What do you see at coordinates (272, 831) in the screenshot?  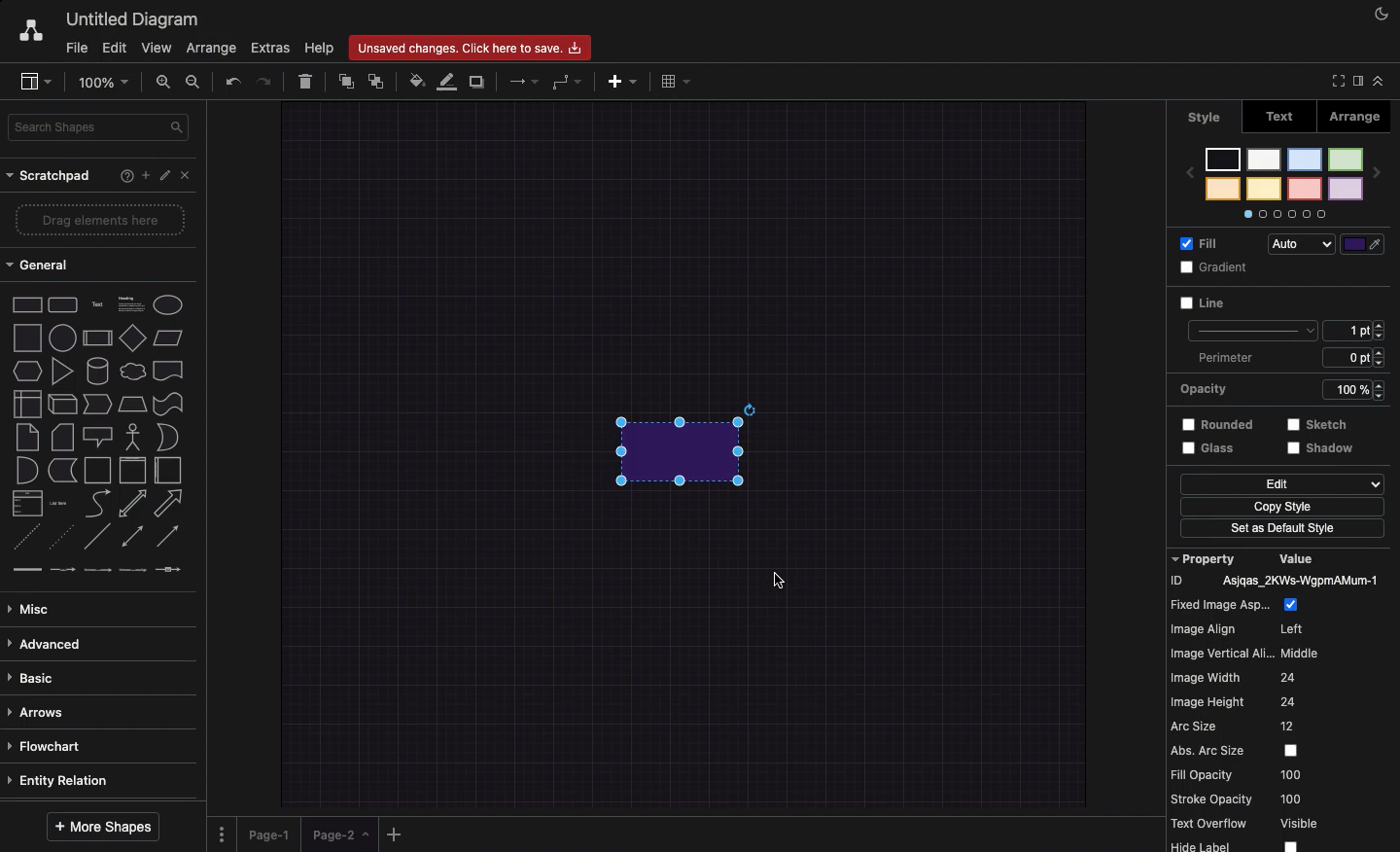 I see `Page 1` at bounding box center [272, 831].